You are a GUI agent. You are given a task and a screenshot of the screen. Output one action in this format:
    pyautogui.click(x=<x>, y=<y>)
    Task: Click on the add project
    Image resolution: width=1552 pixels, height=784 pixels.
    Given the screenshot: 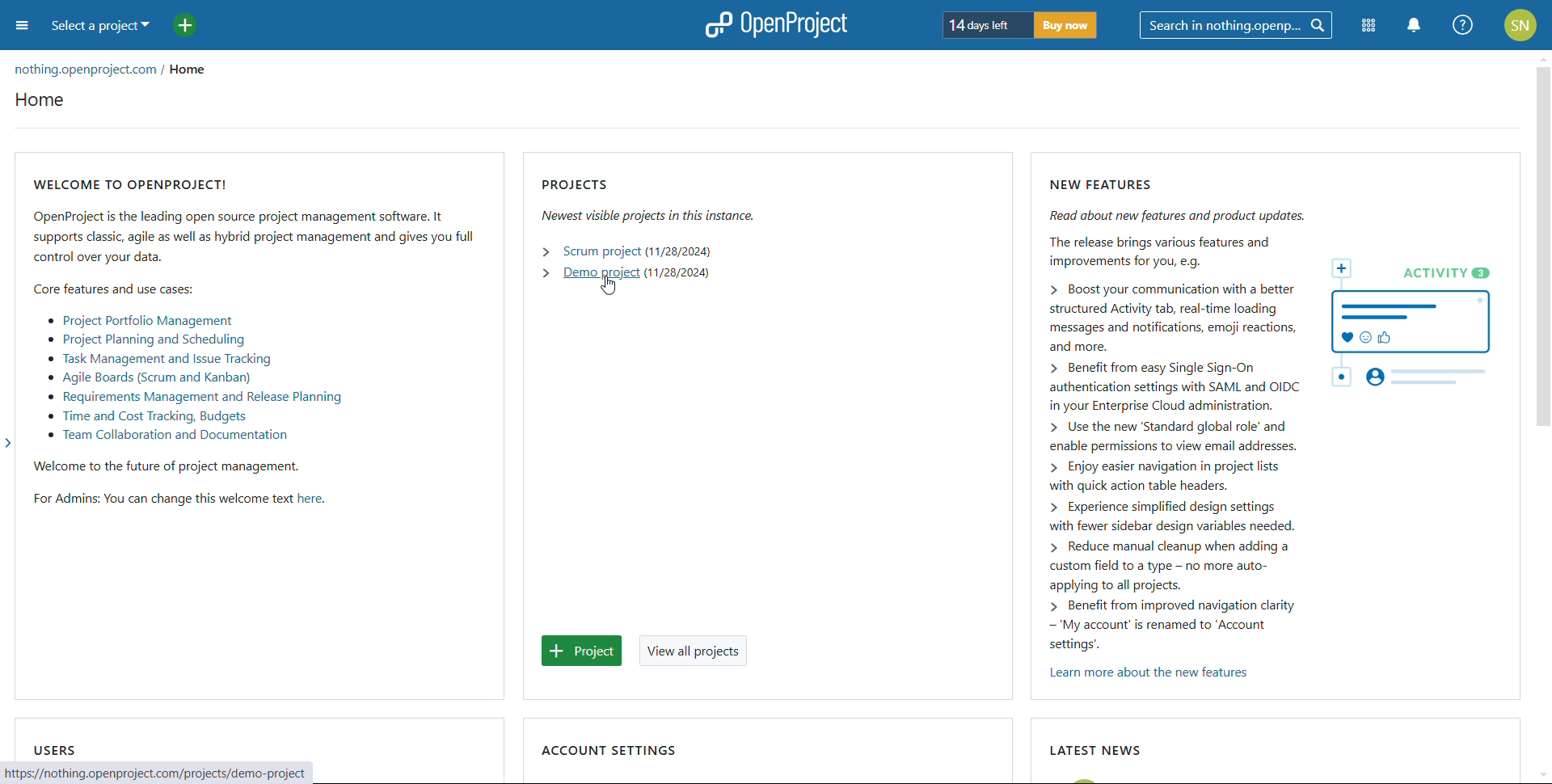 What is the action you would take?
    pyautogui.click(x=581, y=650)
    